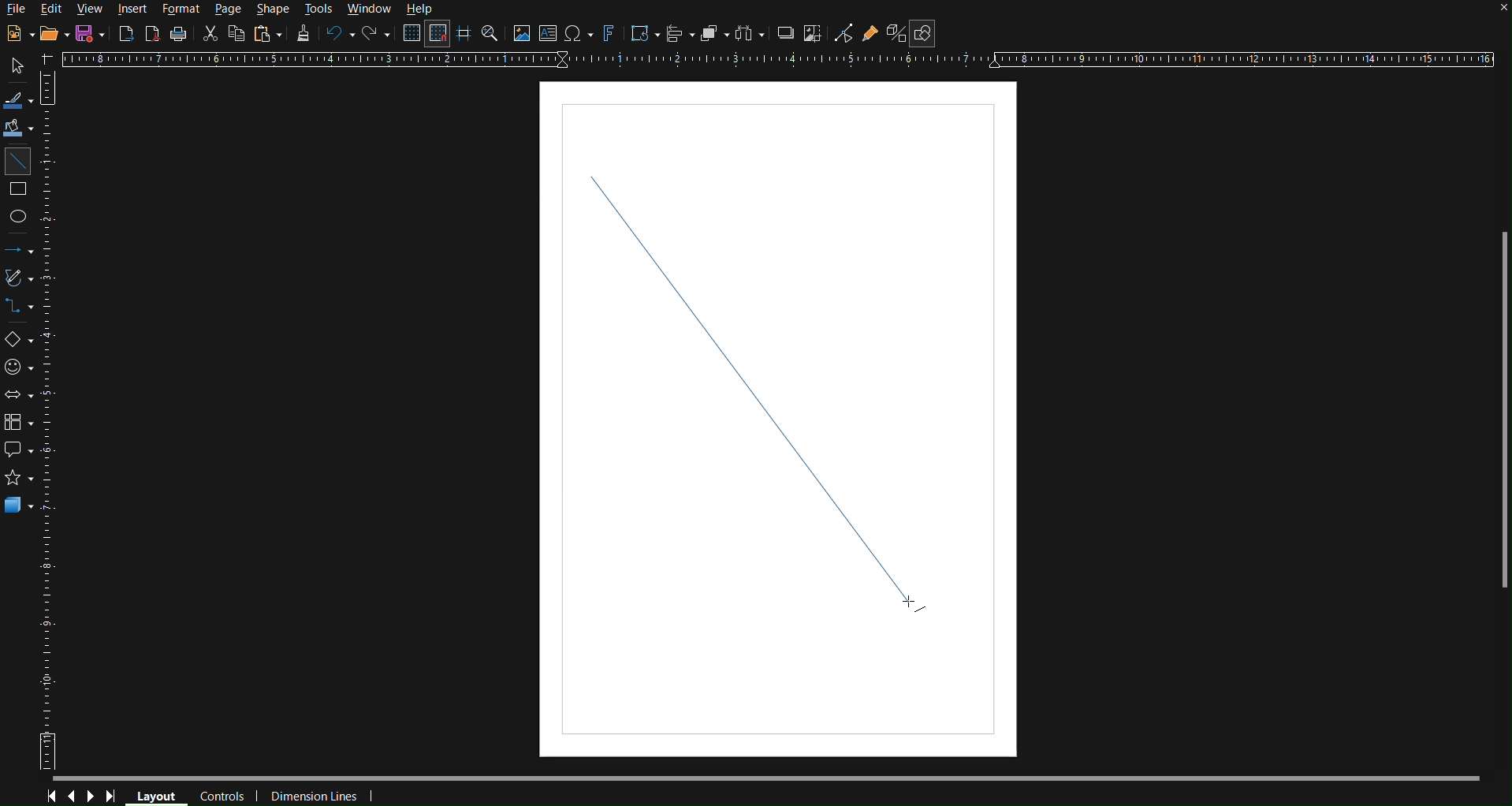 The height and width of the screenshot is (806, 1512). Describe the element at coordinates (315, 795) in the screenshot. I see `Dimension Lines` at that location.